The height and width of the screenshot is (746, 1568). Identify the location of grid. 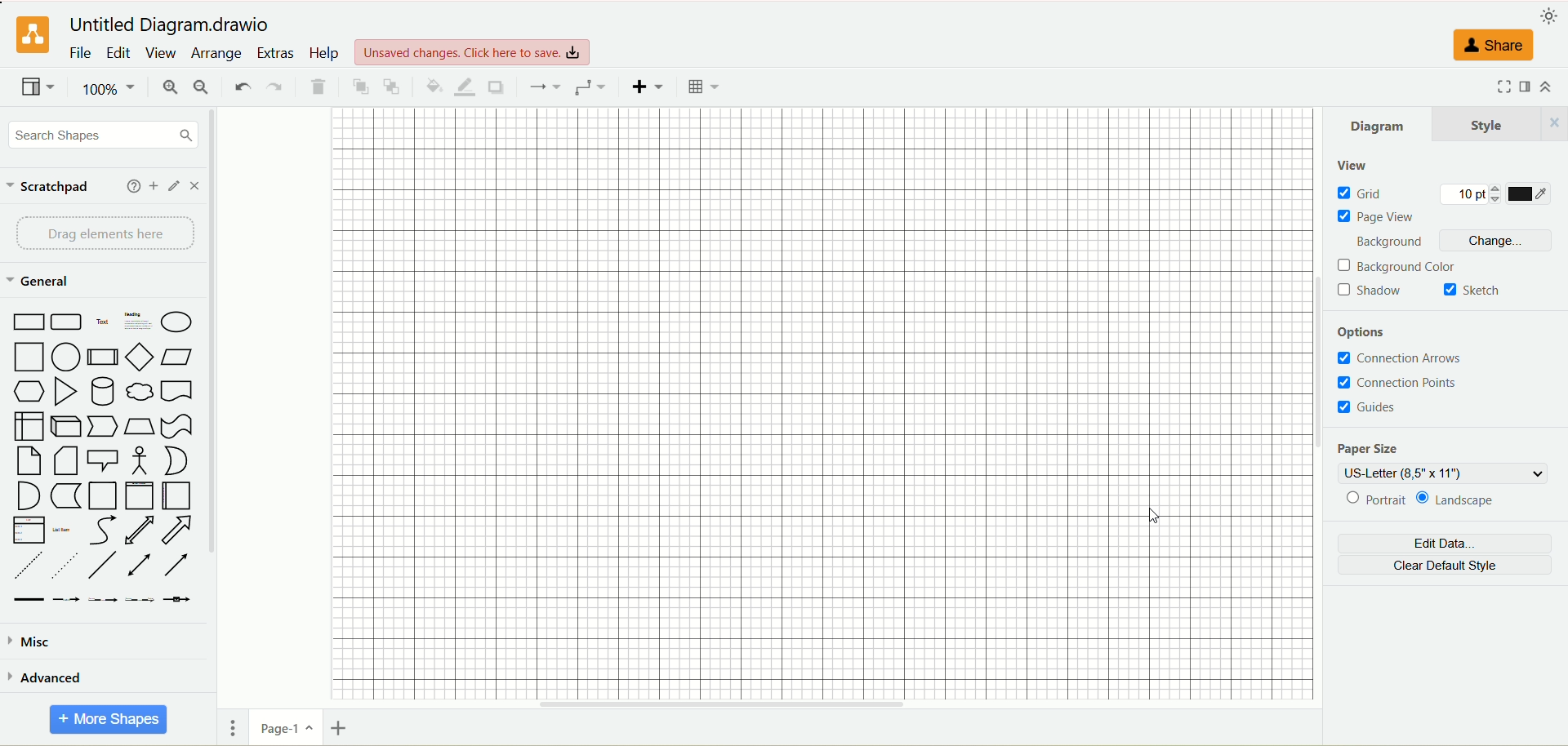
(1361, 193).